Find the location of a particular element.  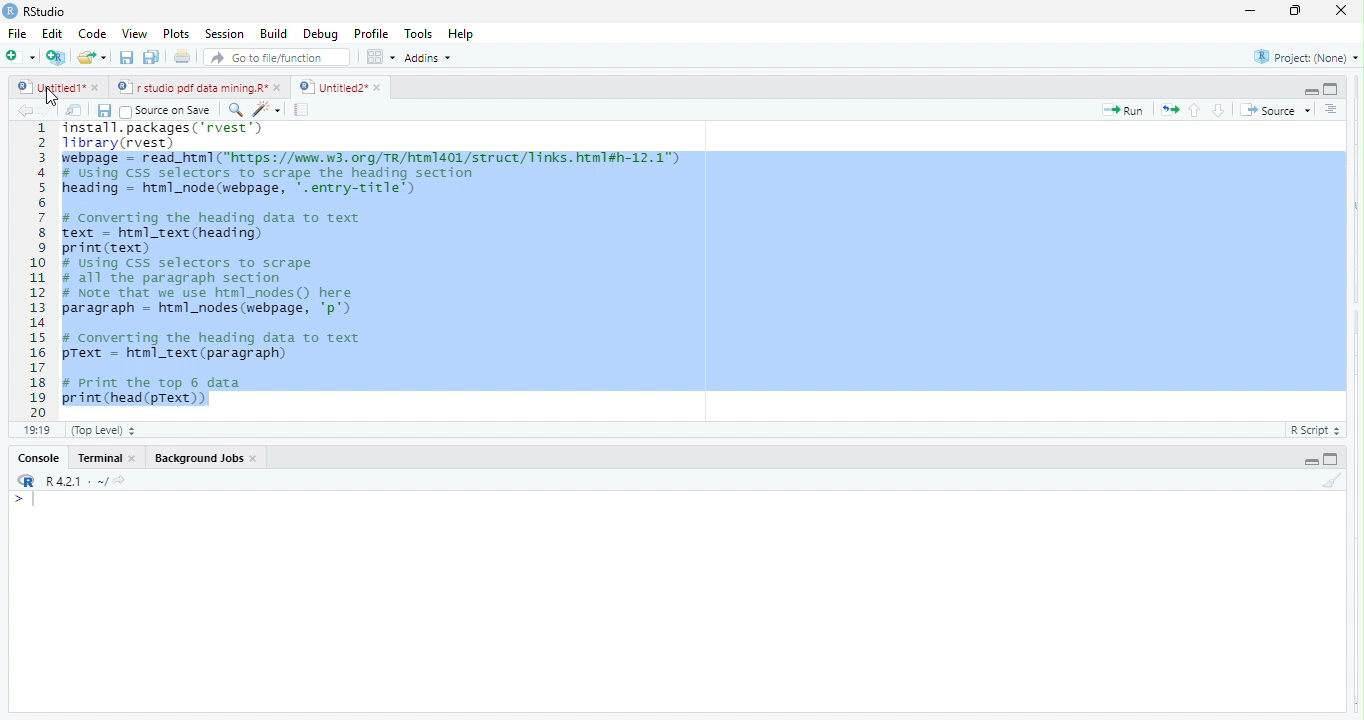

save current document is located at coordinates (104, 112).